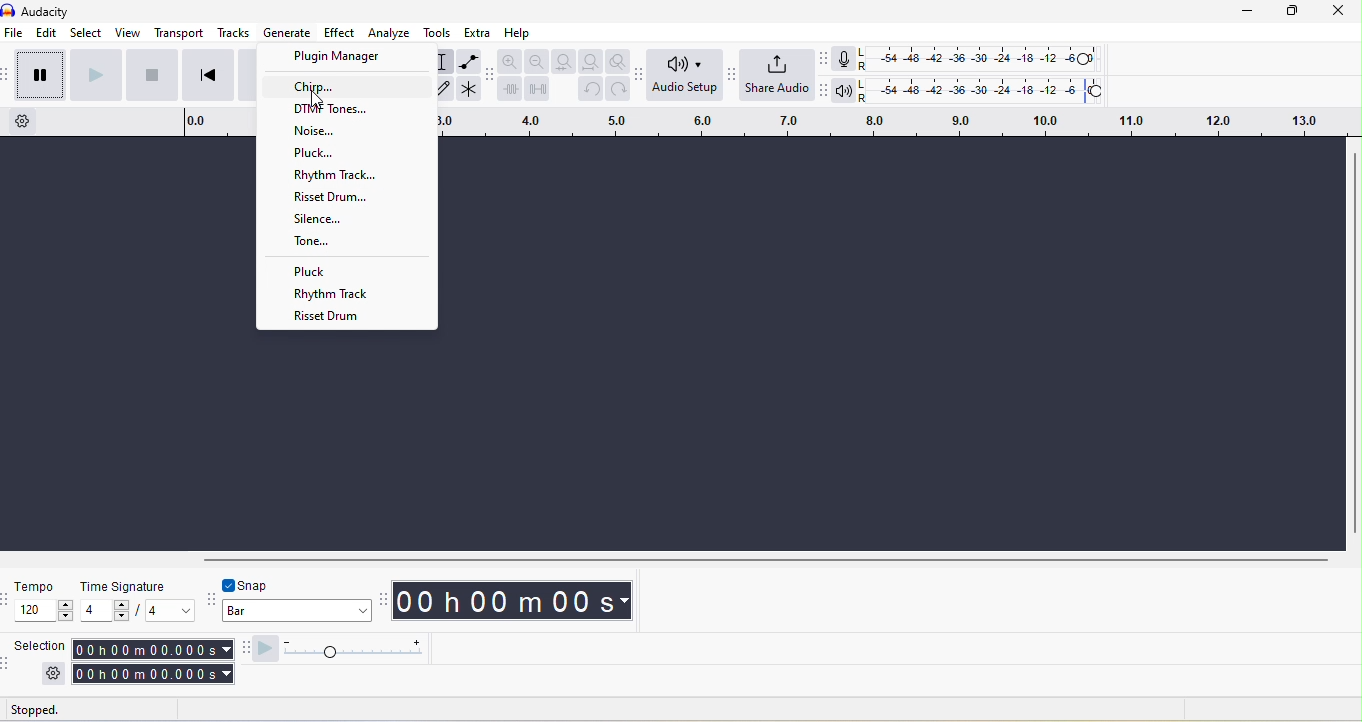 The width and height of the screenshot is (1362, 722). What do you see at coordinates (536, 61) in the screenshot?
I see `zoom out` at bounding box center [536, 61].